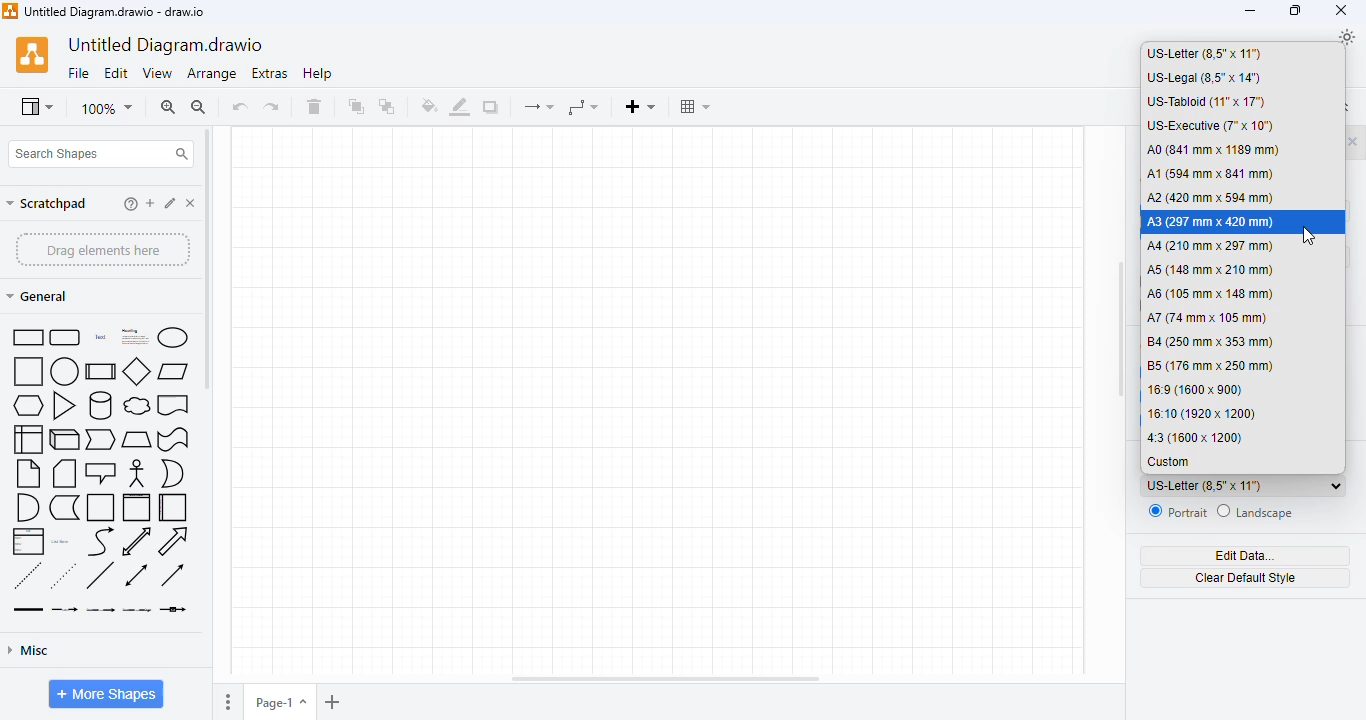  I want to click on square, so click(28, 371).